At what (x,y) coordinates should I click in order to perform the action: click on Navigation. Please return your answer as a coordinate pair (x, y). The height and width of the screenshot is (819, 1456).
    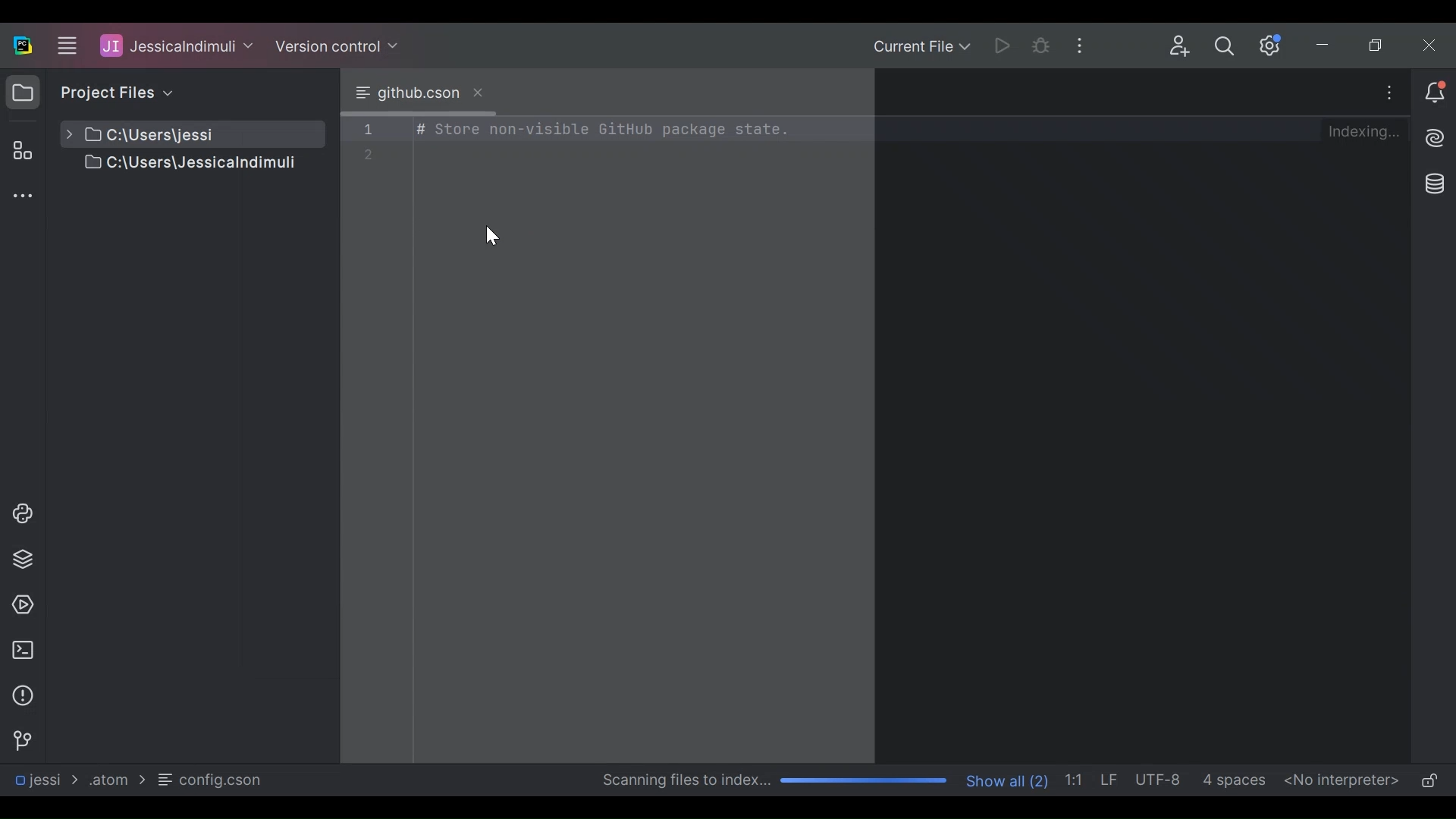
    Looking at the image, I should click on (21, 741).